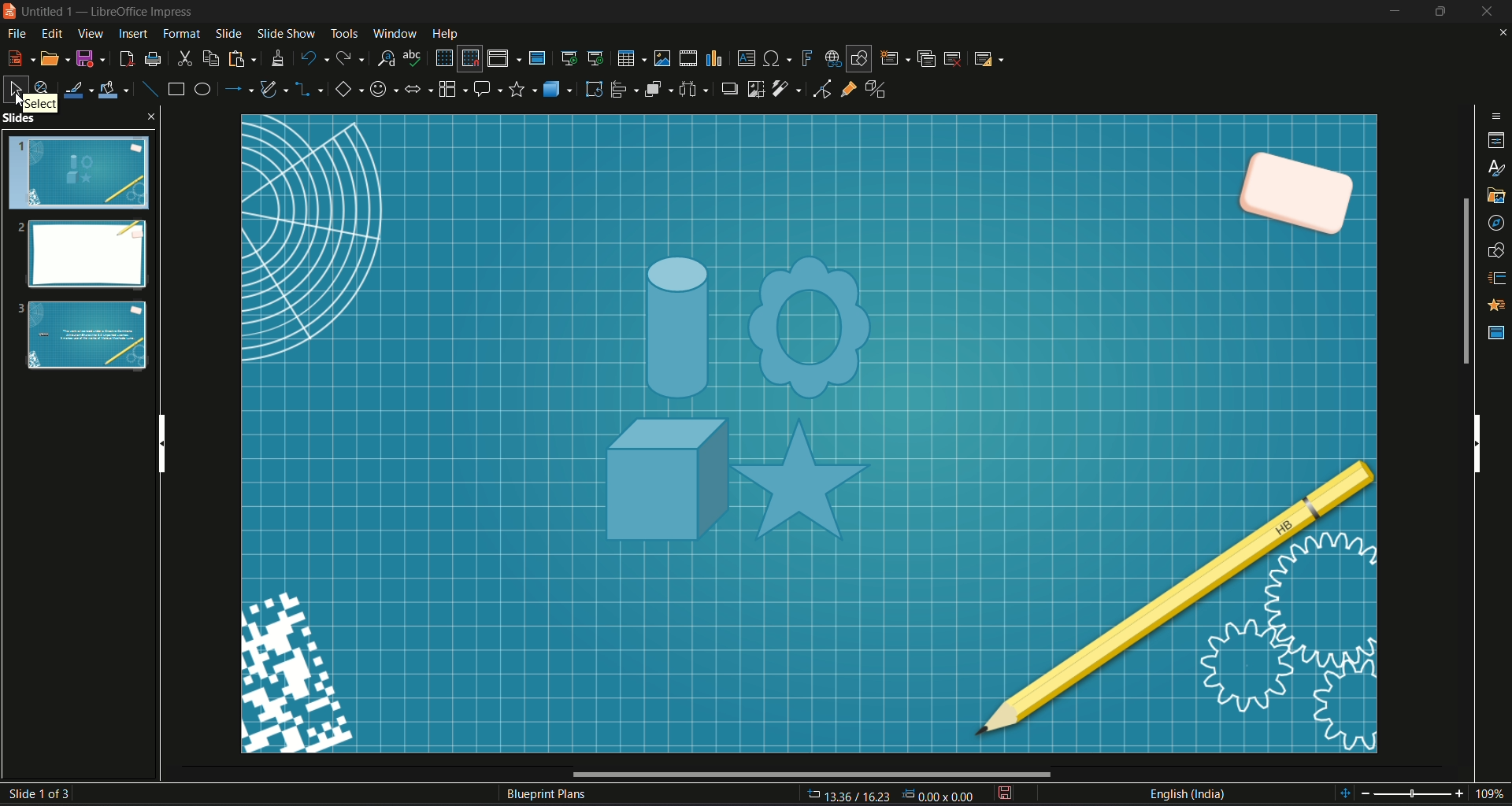 The width and height of the screenshot is (1512, 806). Describe the element at coordinates (892, 796) in the screenshot. I see `Page Dimensions` at that location.